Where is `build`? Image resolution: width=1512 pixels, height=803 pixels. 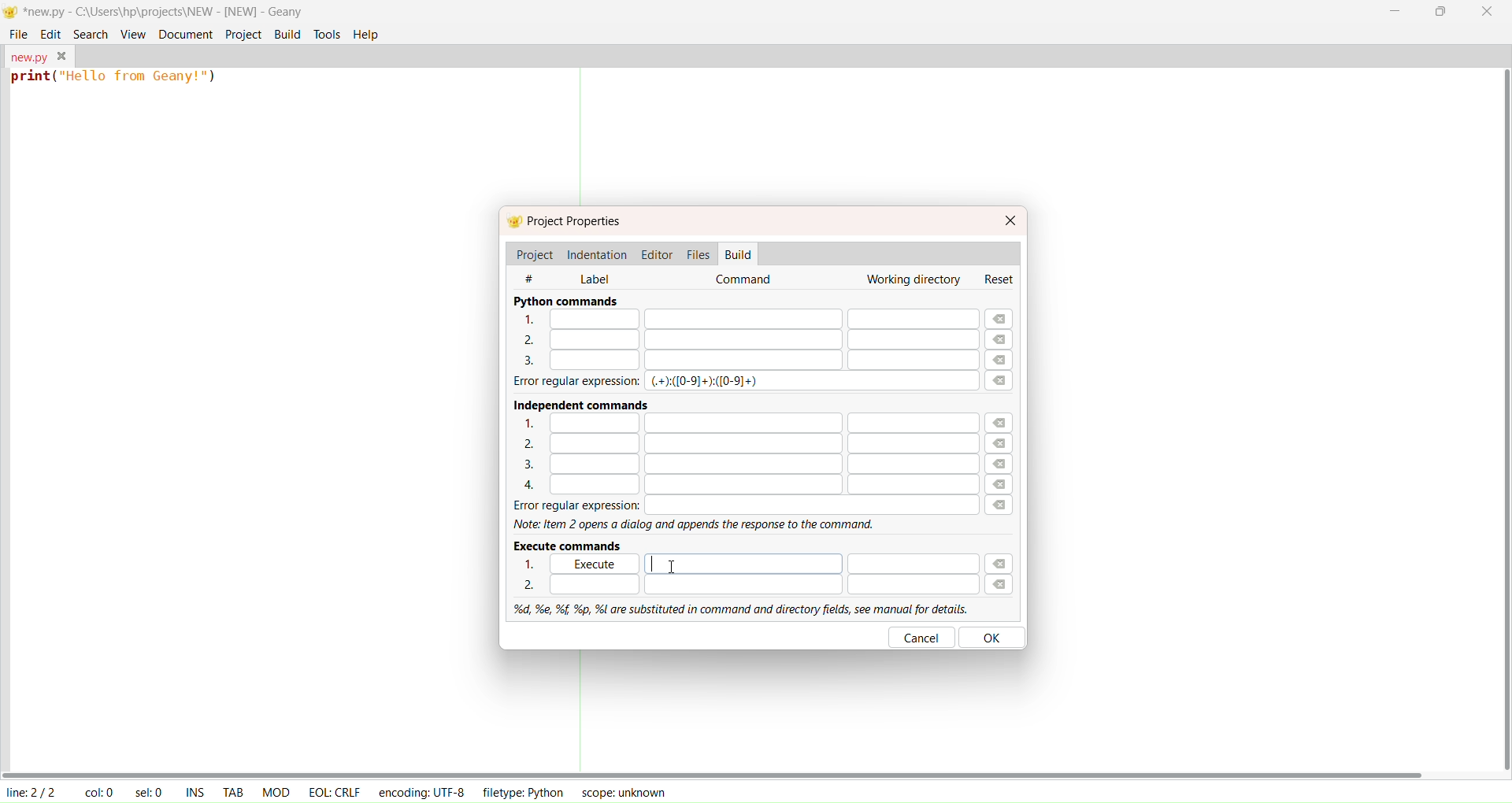
build is located at coordinates (287, 34).